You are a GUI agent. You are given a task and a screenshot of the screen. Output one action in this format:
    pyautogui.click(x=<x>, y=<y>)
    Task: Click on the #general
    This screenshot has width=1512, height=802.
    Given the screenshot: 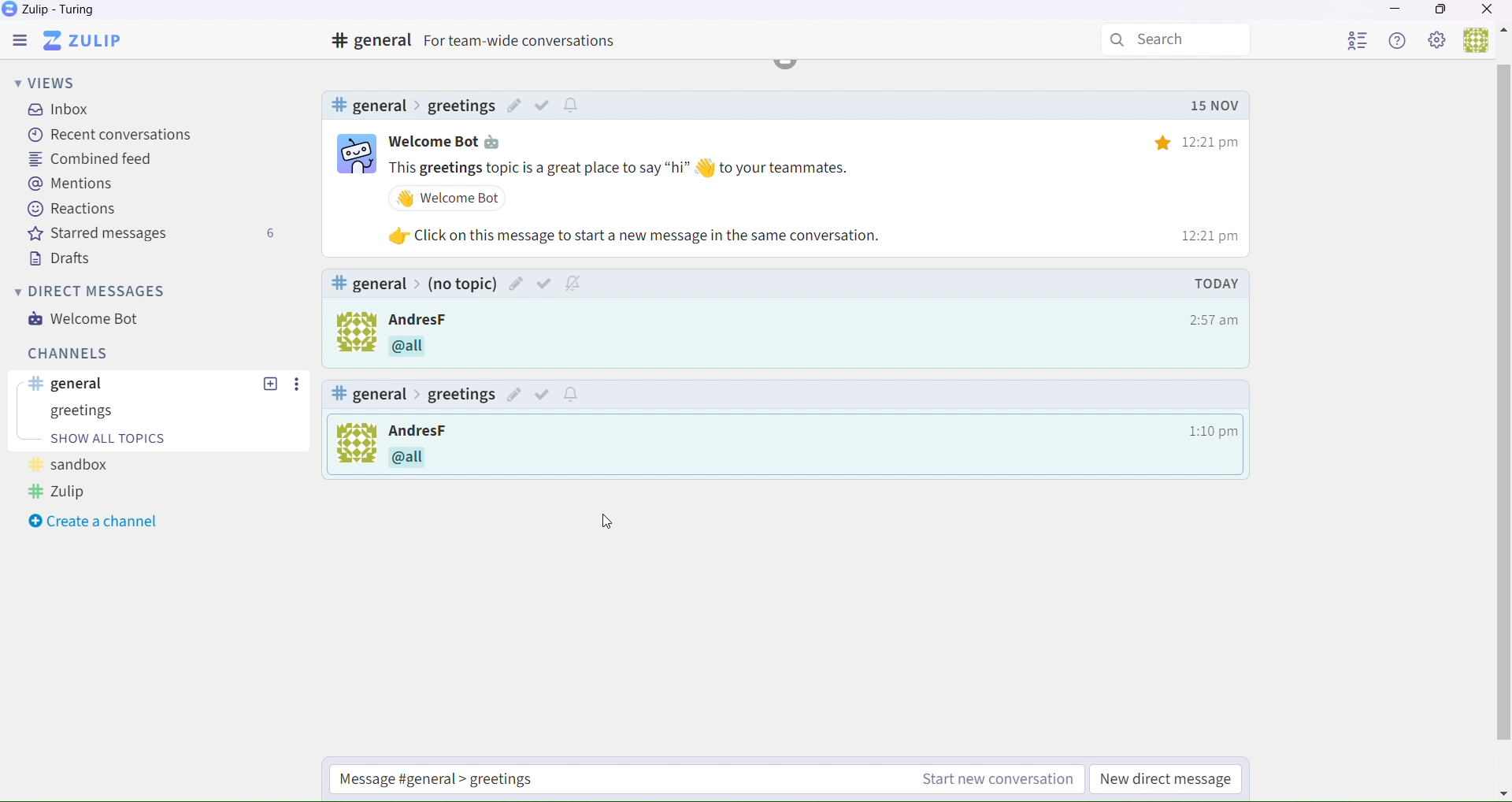 What is the action you would take?
    pyautogui.click(x=487, y=41)
    